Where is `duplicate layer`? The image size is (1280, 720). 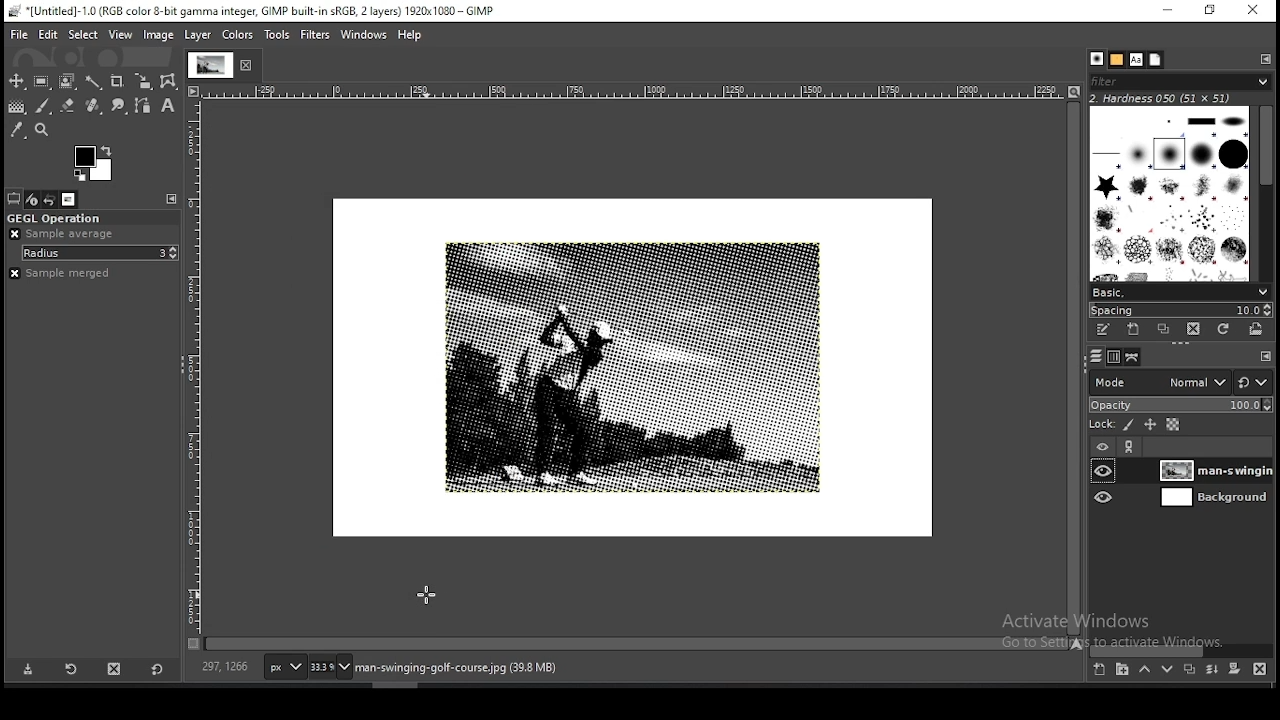 duplicate layer is located at coordinates (1190, 668).